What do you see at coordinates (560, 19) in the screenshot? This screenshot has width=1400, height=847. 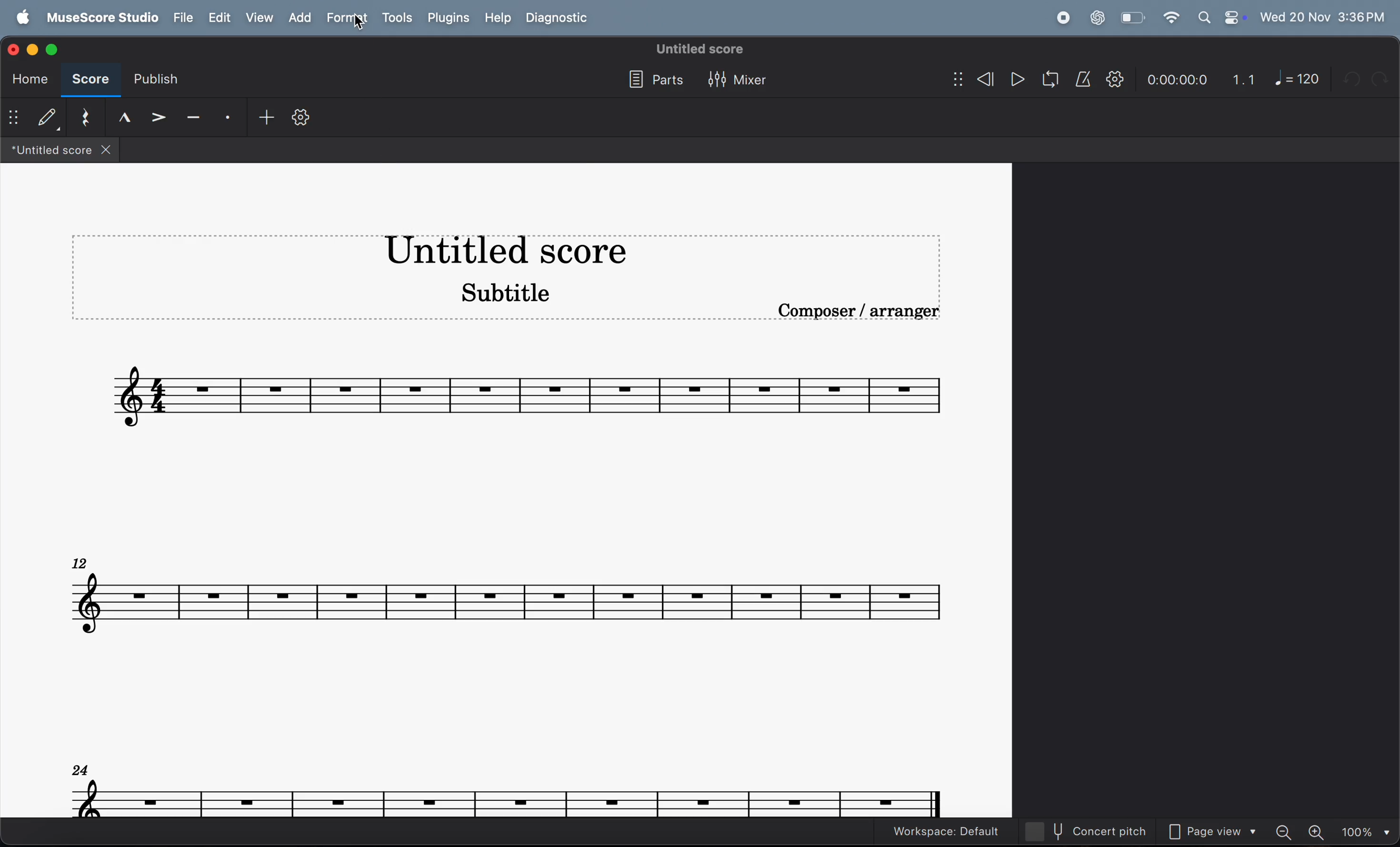 I see `diagnostics` at bounding box center [560, 19].